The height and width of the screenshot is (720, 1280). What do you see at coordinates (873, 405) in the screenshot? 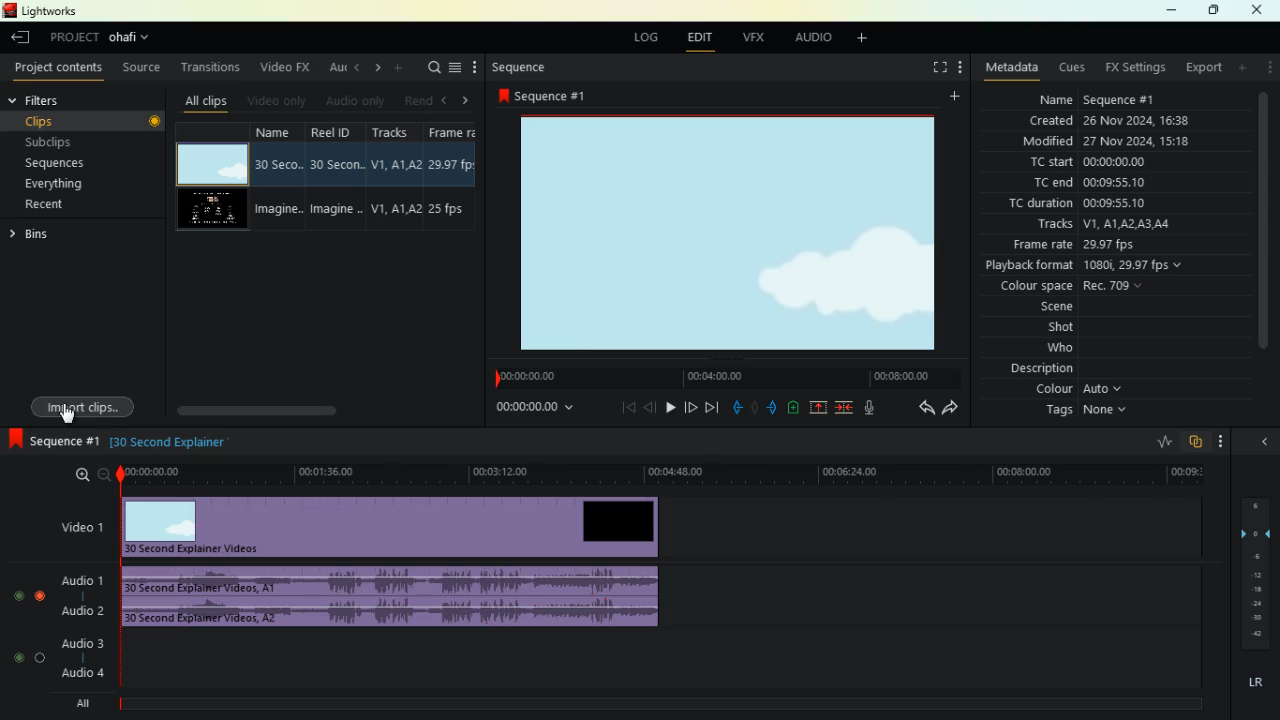
I see `mic` at bounding box center [873, 405].